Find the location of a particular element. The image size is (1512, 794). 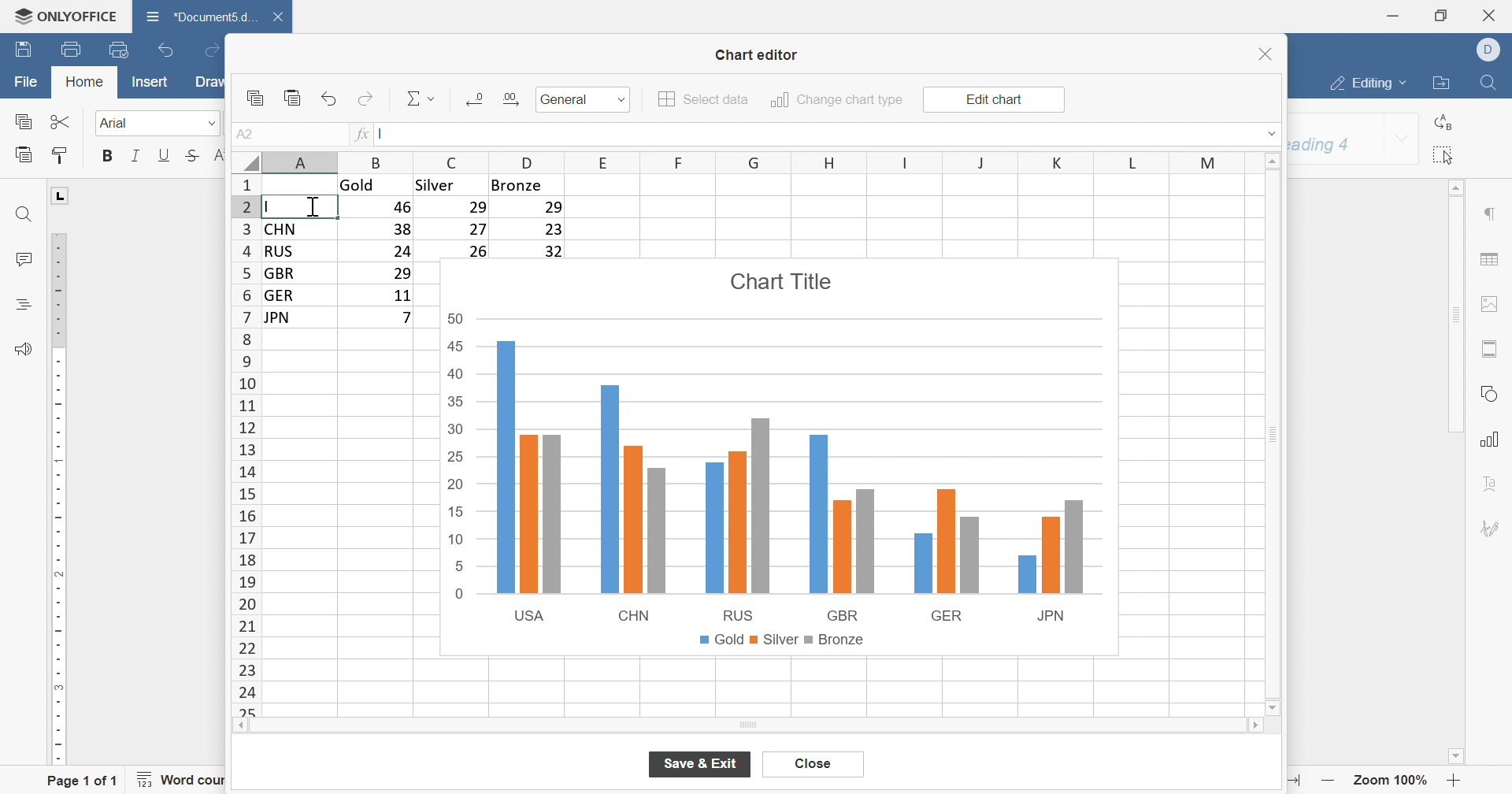

zoom out is located at coordinates (1329, 781).